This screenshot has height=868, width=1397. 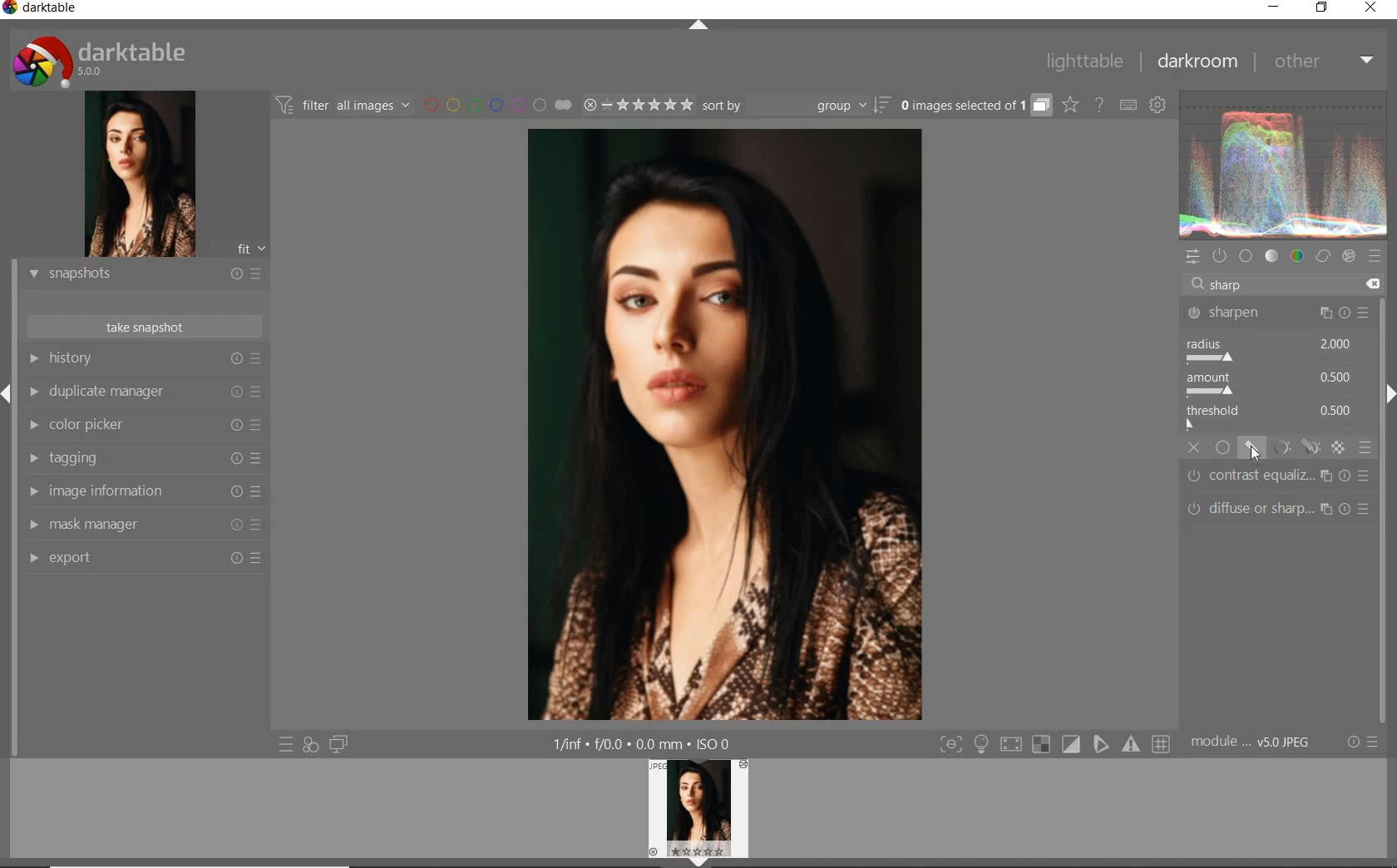 I want to click on range ratings for selected images, so click(x=623, y=106).